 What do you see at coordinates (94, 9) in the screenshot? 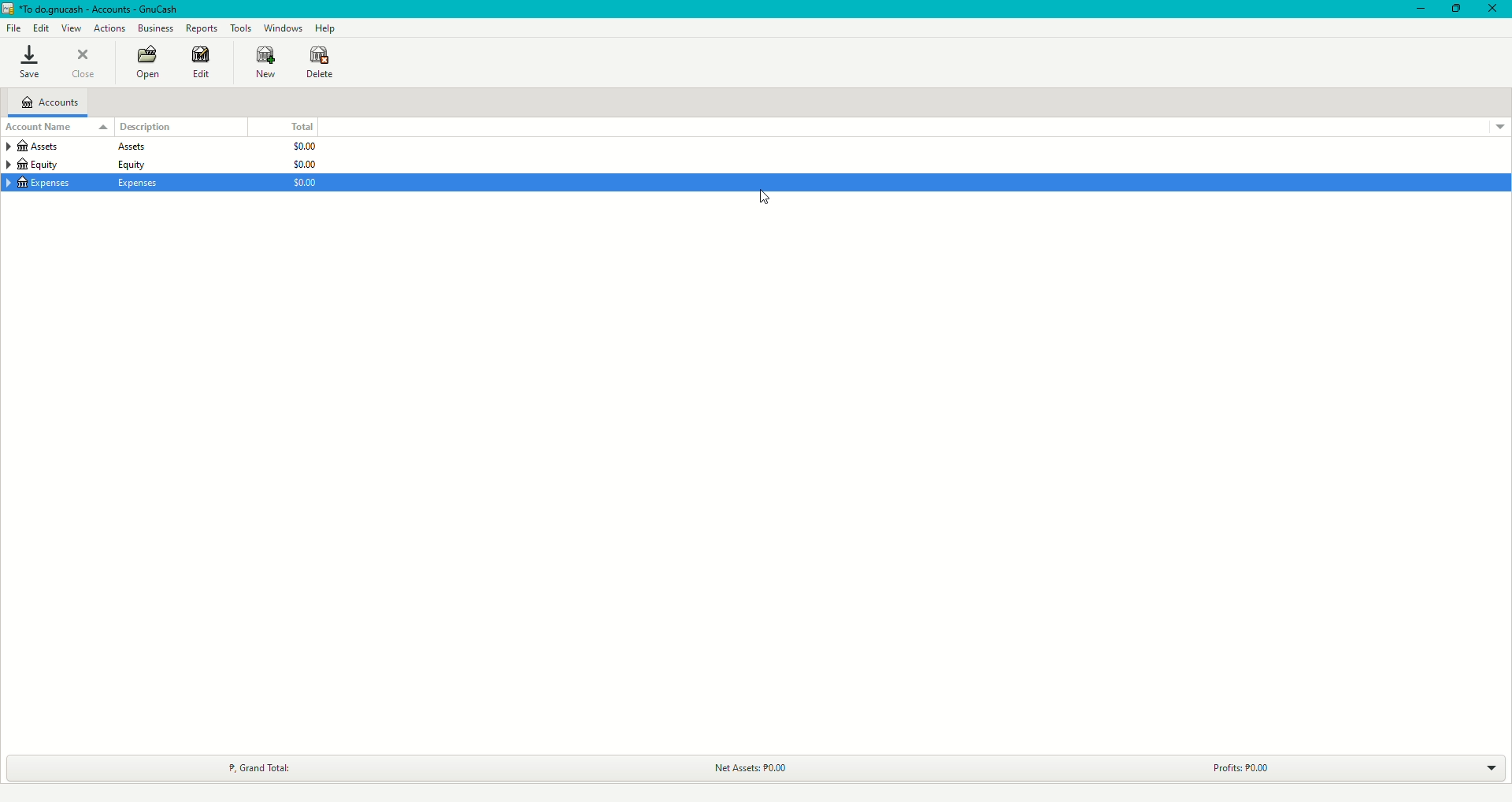
I see `GnuCash` at bounding box center [94, 9].